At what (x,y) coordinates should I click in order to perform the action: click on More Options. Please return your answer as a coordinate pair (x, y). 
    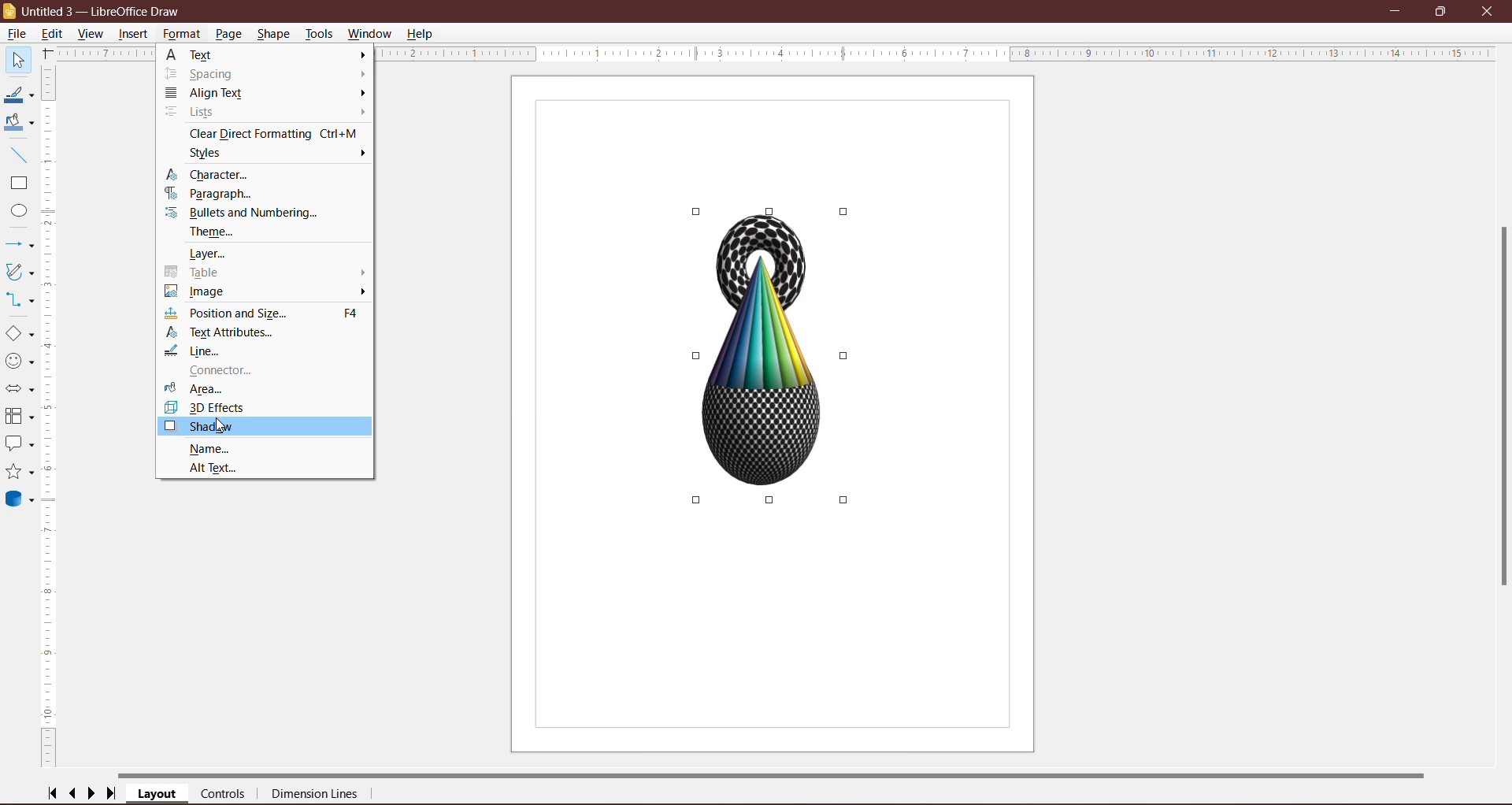
    Looking at the image, I should click on (361, 84).